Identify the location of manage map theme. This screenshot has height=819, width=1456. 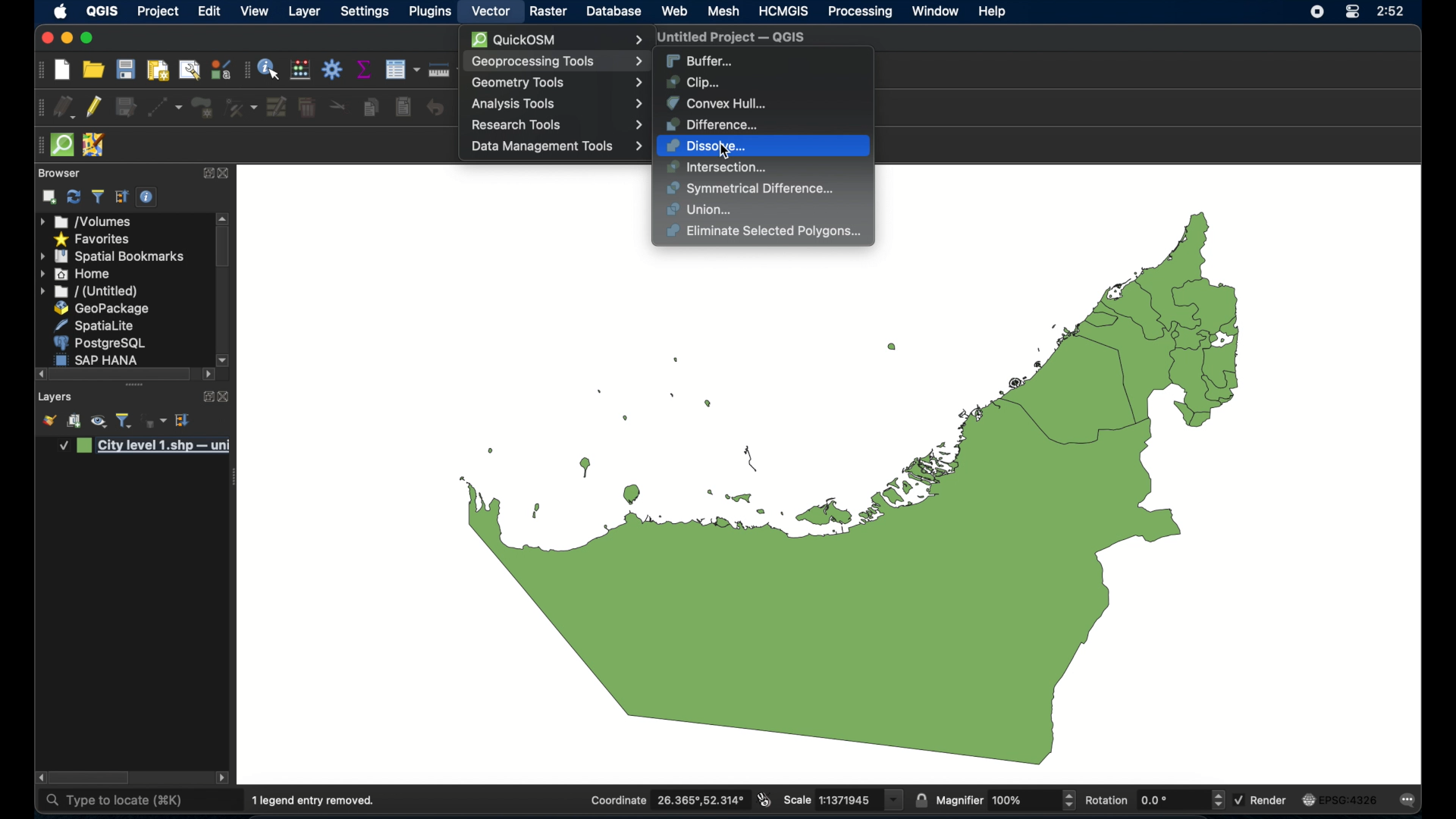
(98, 423).